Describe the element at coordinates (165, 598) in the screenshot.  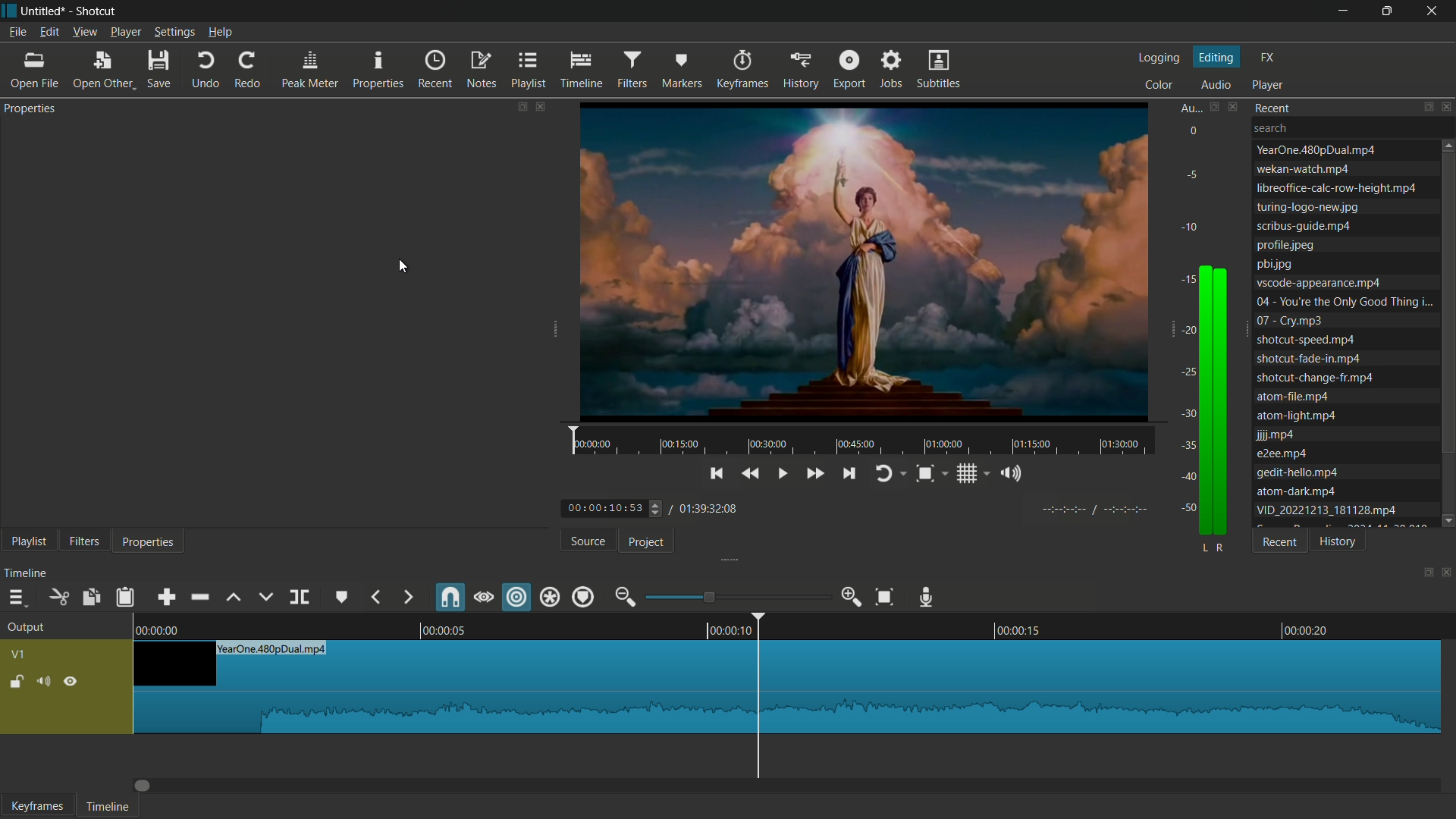
I see `append` at that location.